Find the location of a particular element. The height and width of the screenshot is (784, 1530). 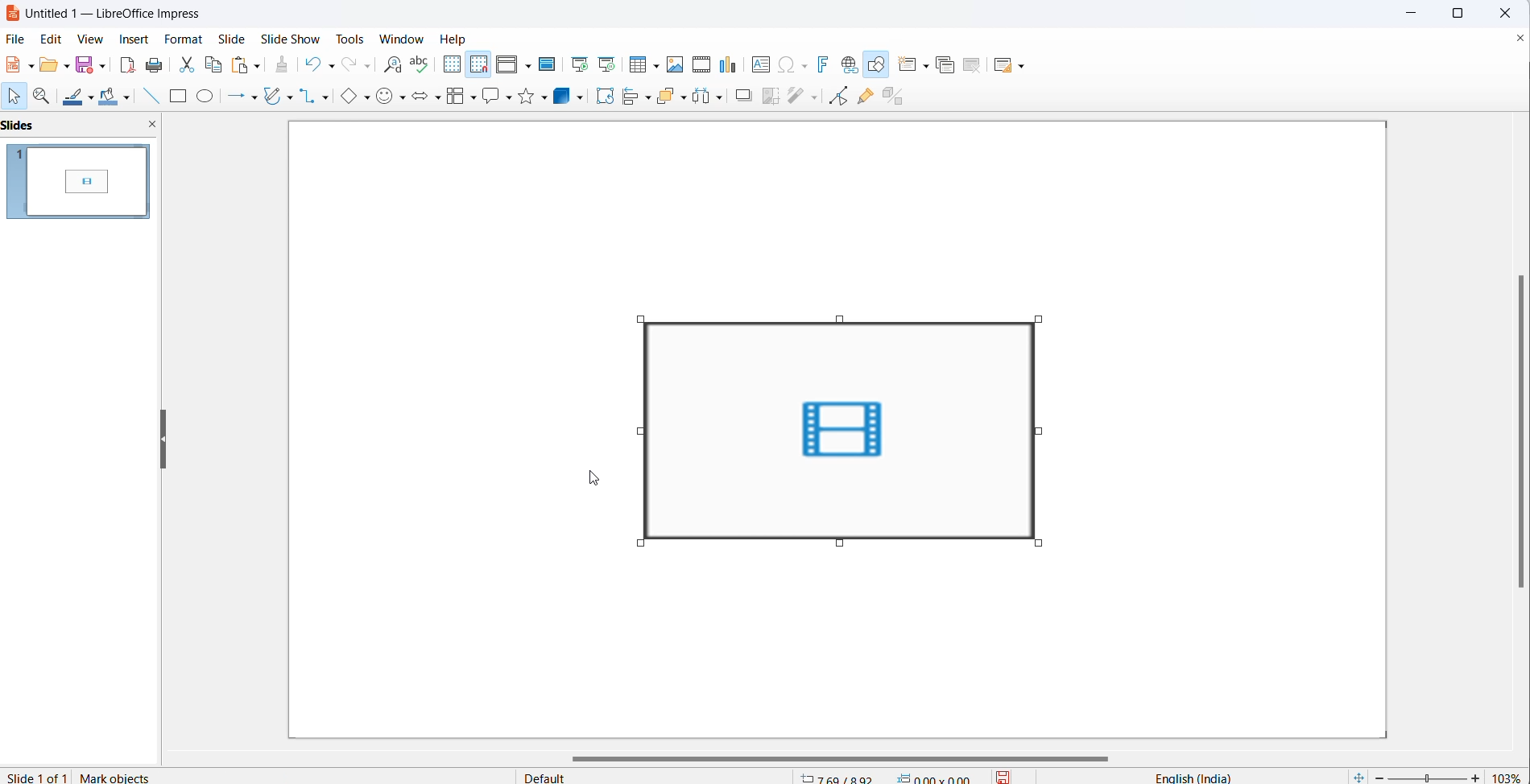

line is located at coordinates (149, 97).